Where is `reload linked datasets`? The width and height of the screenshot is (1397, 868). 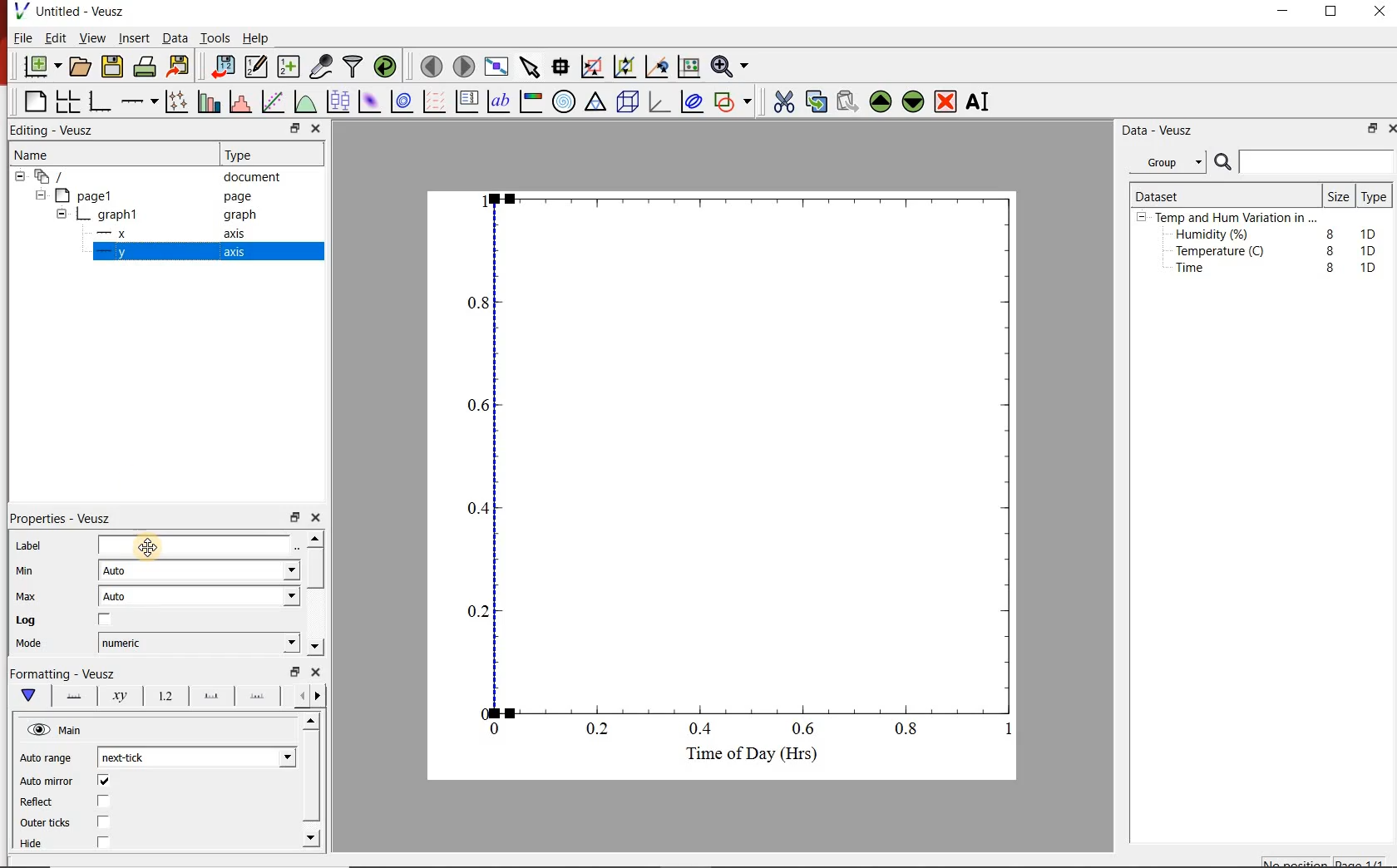
reload linked datasets is located at coordinates (385, 67).